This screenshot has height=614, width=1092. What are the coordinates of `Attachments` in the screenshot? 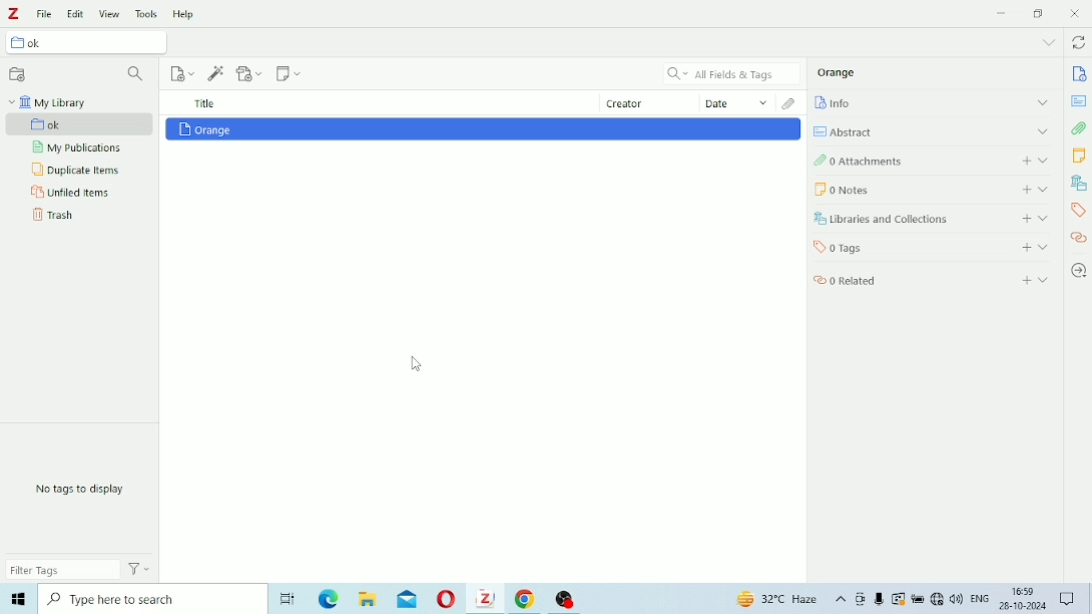 It's located at (1079, 128).